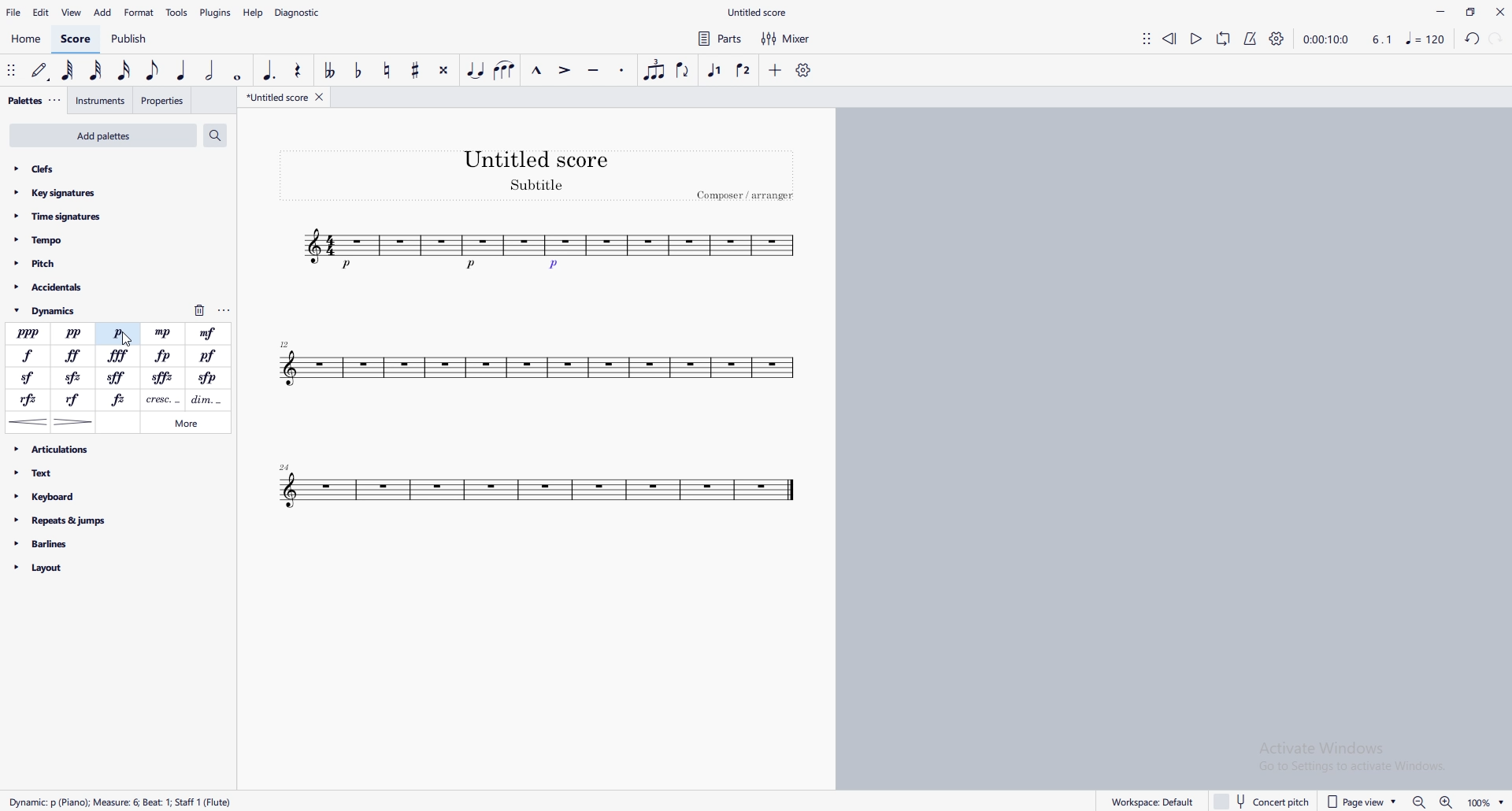 Image resolution: width=1512 pixels, height=811 pixels. I want to click on add, so click(103, 13).